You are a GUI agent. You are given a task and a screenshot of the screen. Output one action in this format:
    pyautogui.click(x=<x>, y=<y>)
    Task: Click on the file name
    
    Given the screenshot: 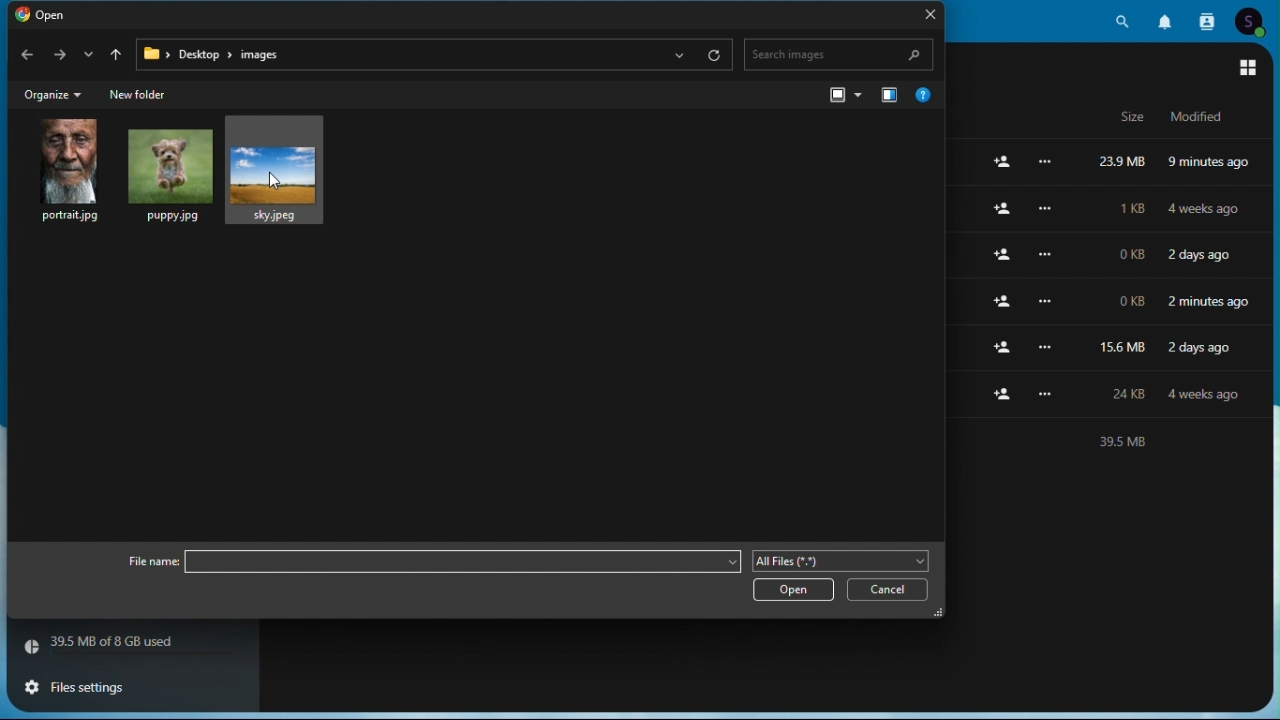 What is the action you would take?
    pyautogui.click(x=145, y=562)
    